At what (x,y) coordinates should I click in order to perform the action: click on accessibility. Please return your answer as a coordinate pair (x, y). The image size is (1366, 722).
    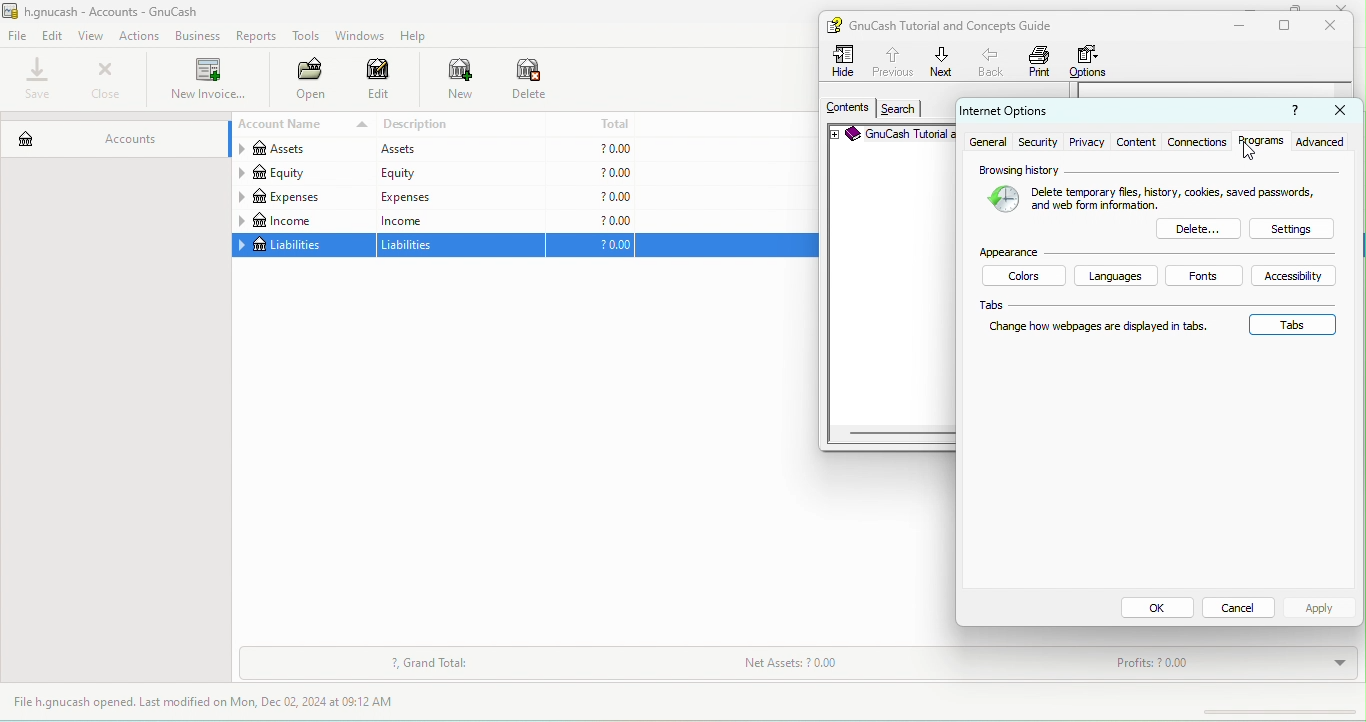
    Looking at the image, I should click on (1296, 276).